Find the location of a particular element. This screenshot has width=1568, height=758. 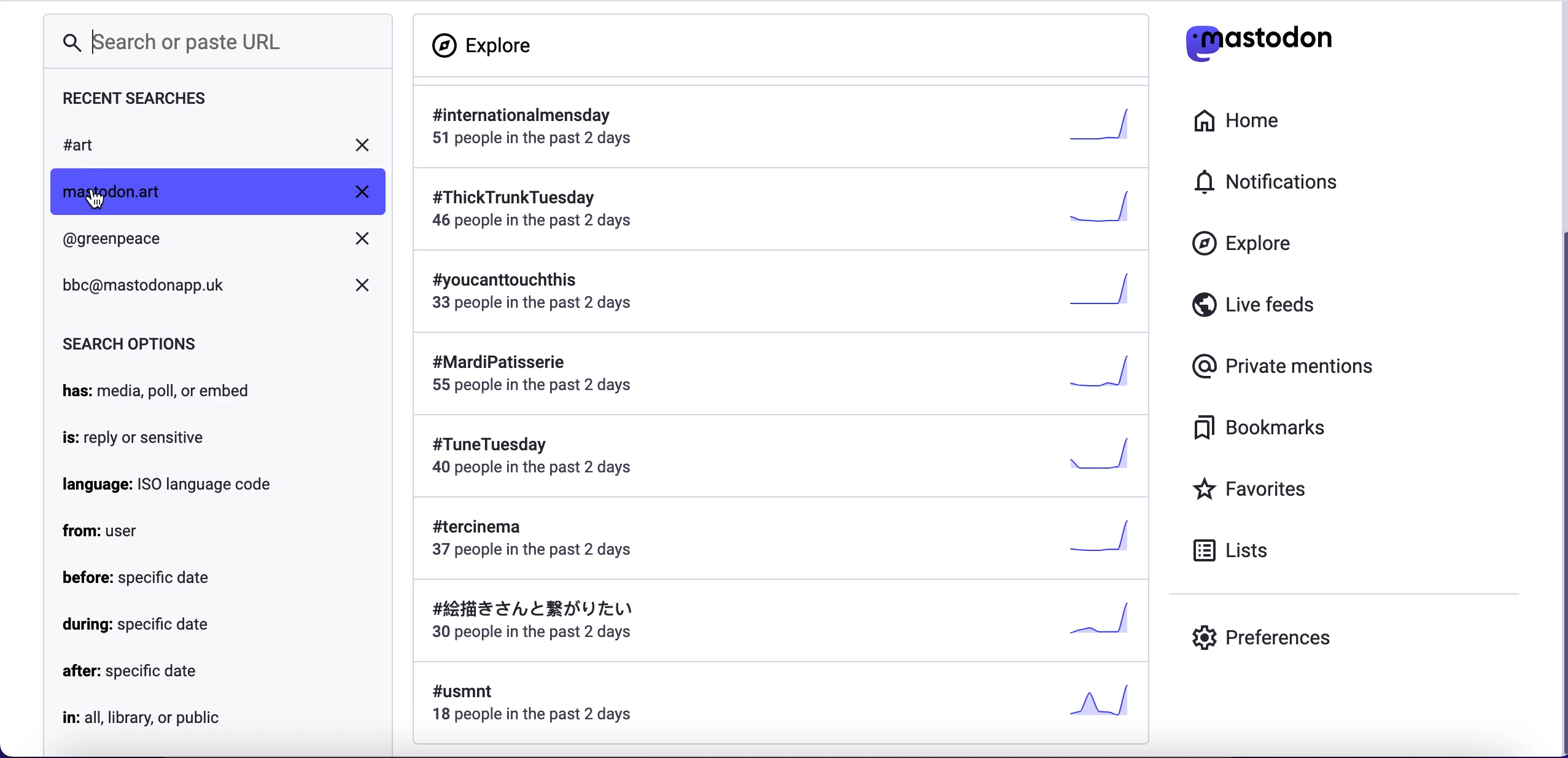

search or paste URL is located at coordinates (174, 42).